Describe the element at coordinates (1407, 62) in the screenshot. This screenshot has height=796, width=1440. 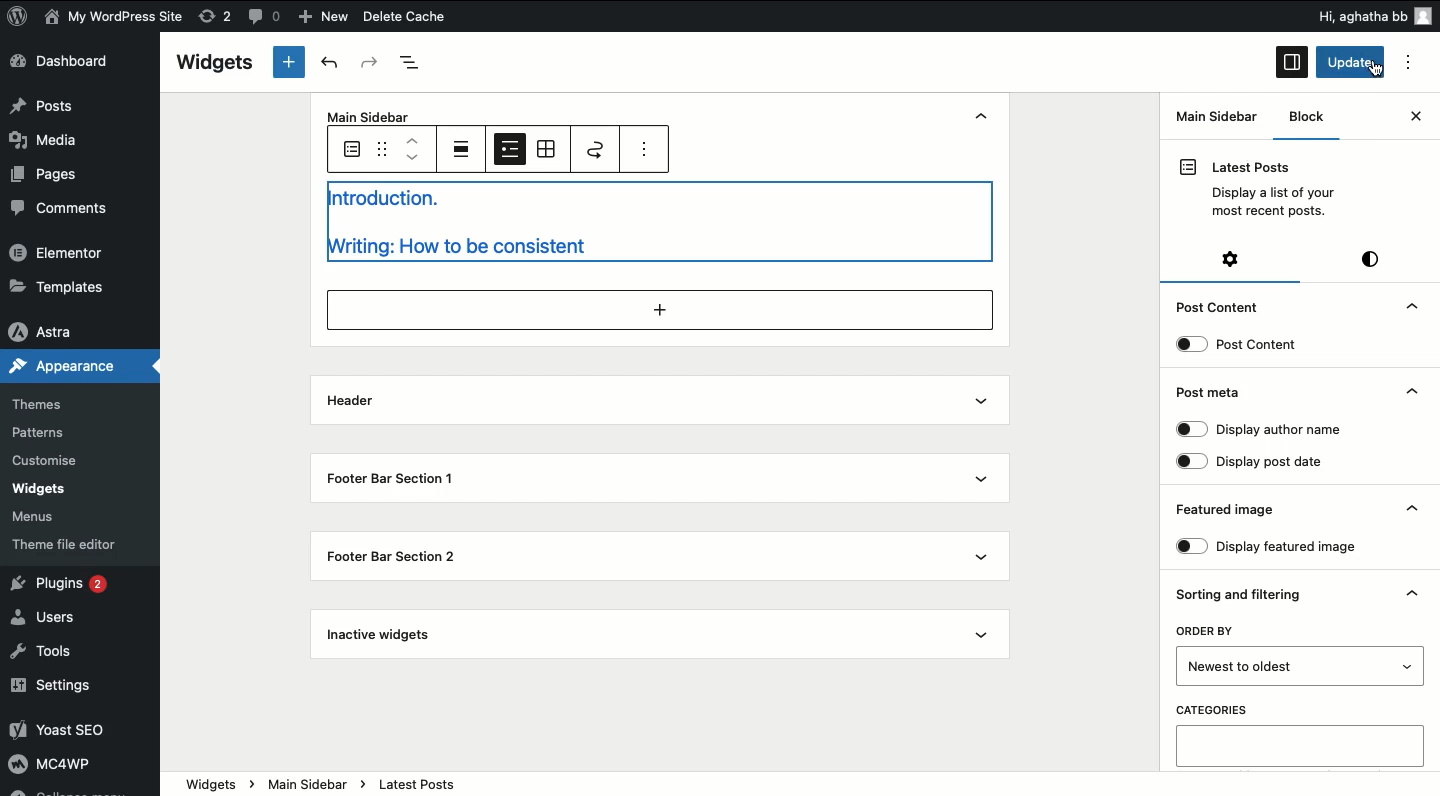
I see `options` at that location.